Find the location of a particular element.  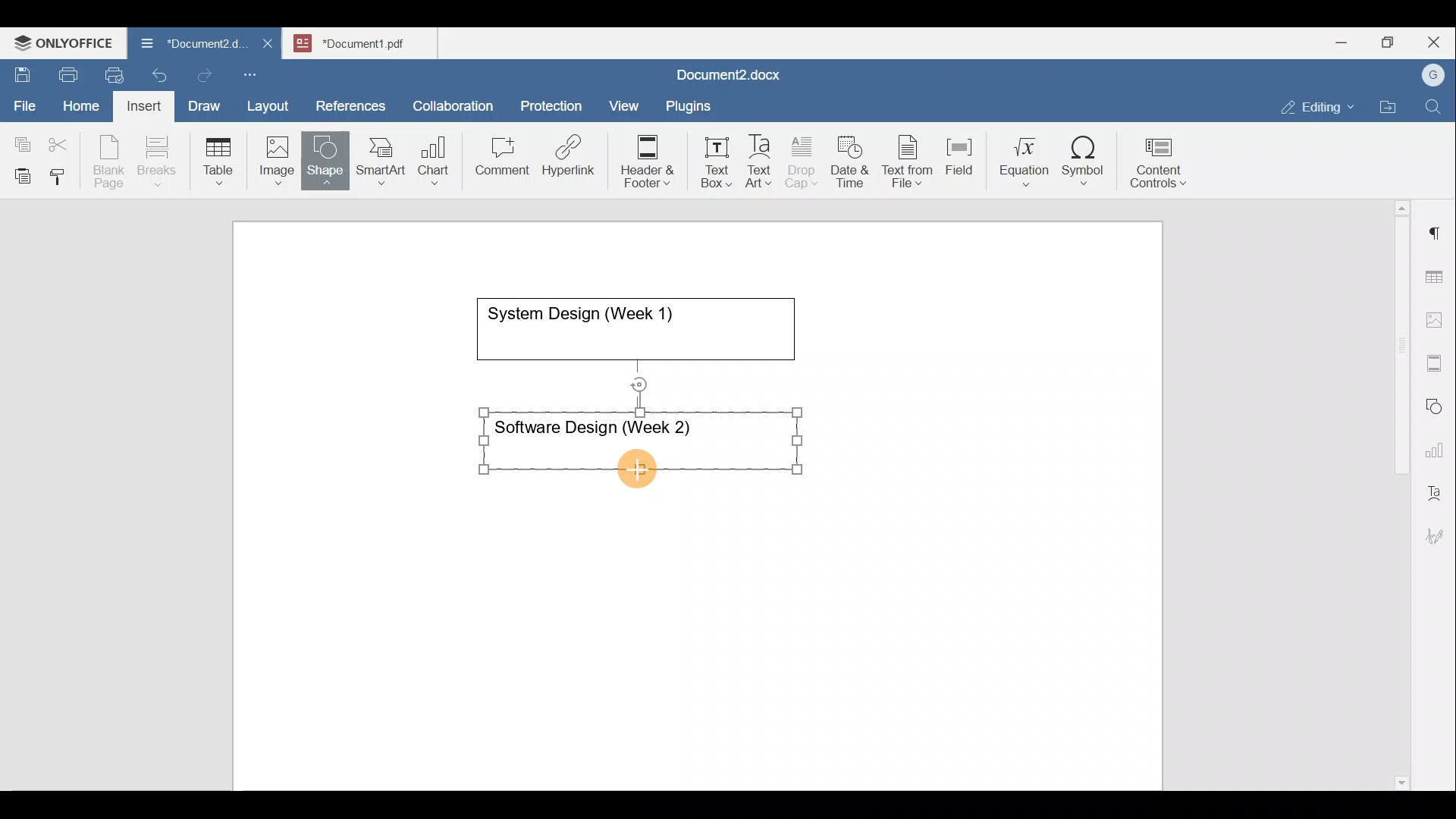

Cut is located at coordinates (64, 141).